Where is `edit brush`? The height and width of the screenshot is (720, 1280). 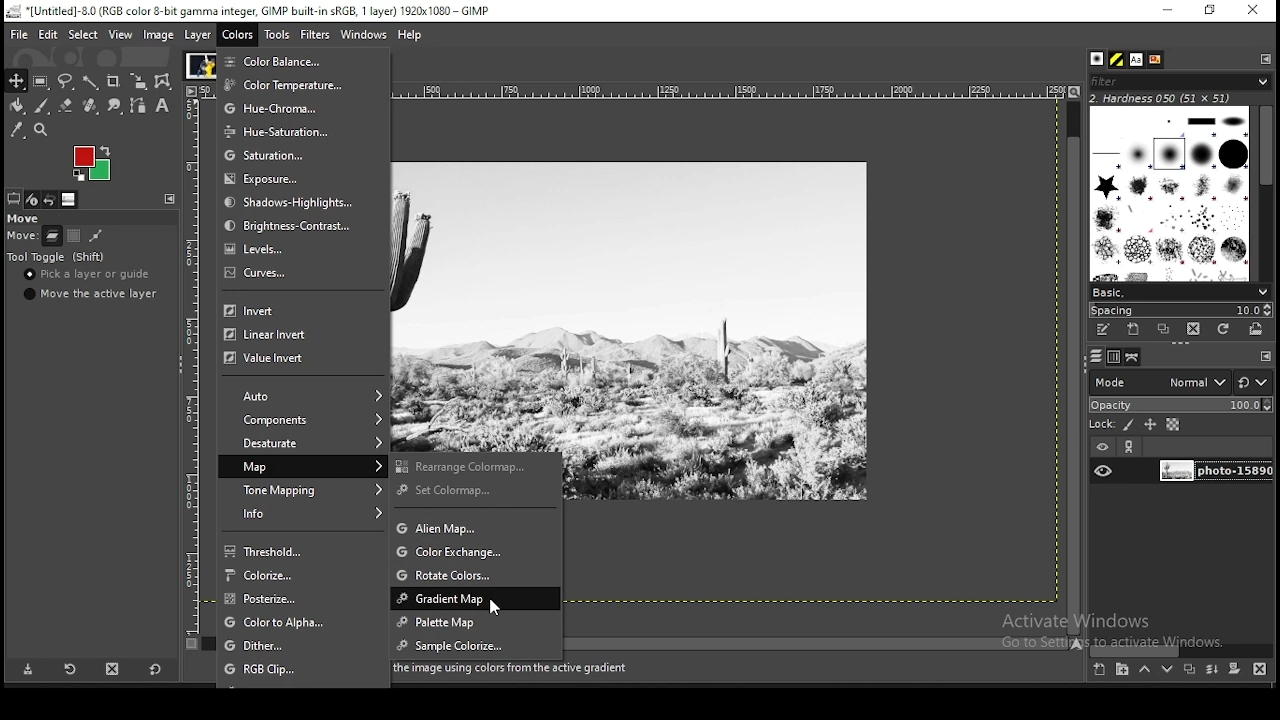
edit brush is located at coordinates (1105, 330).